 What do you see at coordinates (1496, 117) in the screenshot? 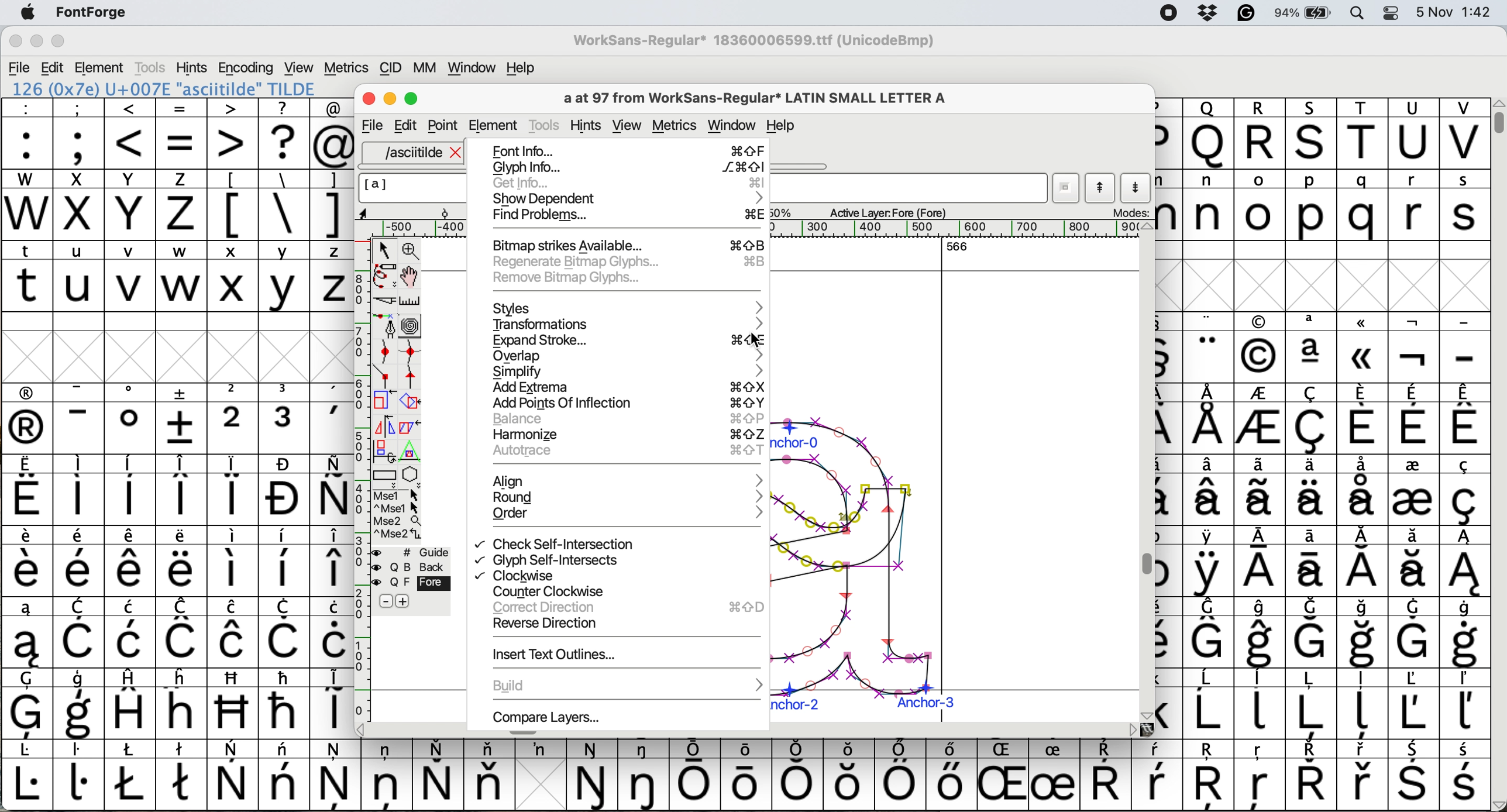
I see `vertical scroll bar` at bounding box center [1496, 117].